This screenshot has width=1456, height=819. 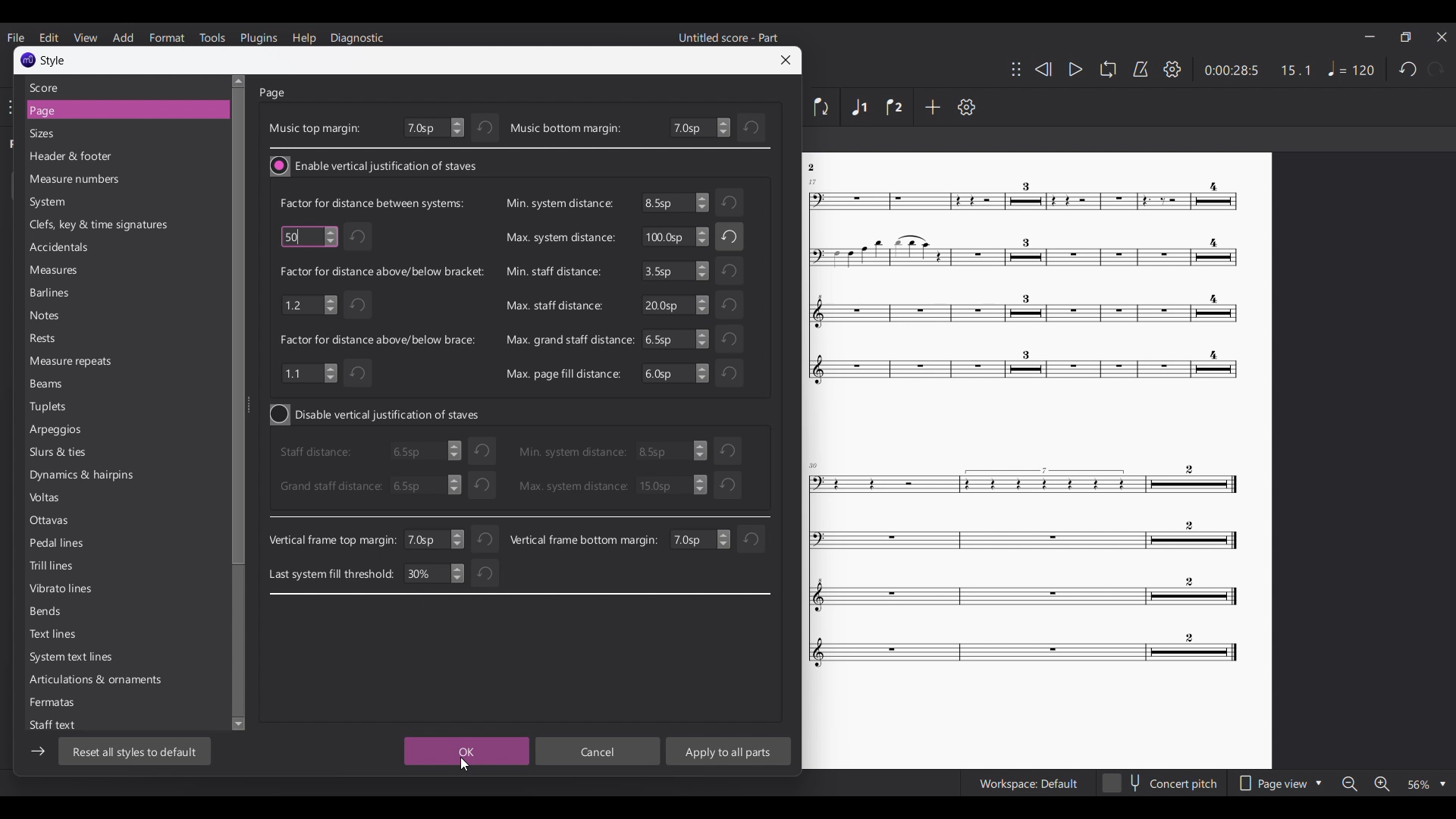 What do you see at coordinates (379, 340) in the screenshot?
I see `Indicates factor for distance above/below brace` at bounding box center [379, 340].